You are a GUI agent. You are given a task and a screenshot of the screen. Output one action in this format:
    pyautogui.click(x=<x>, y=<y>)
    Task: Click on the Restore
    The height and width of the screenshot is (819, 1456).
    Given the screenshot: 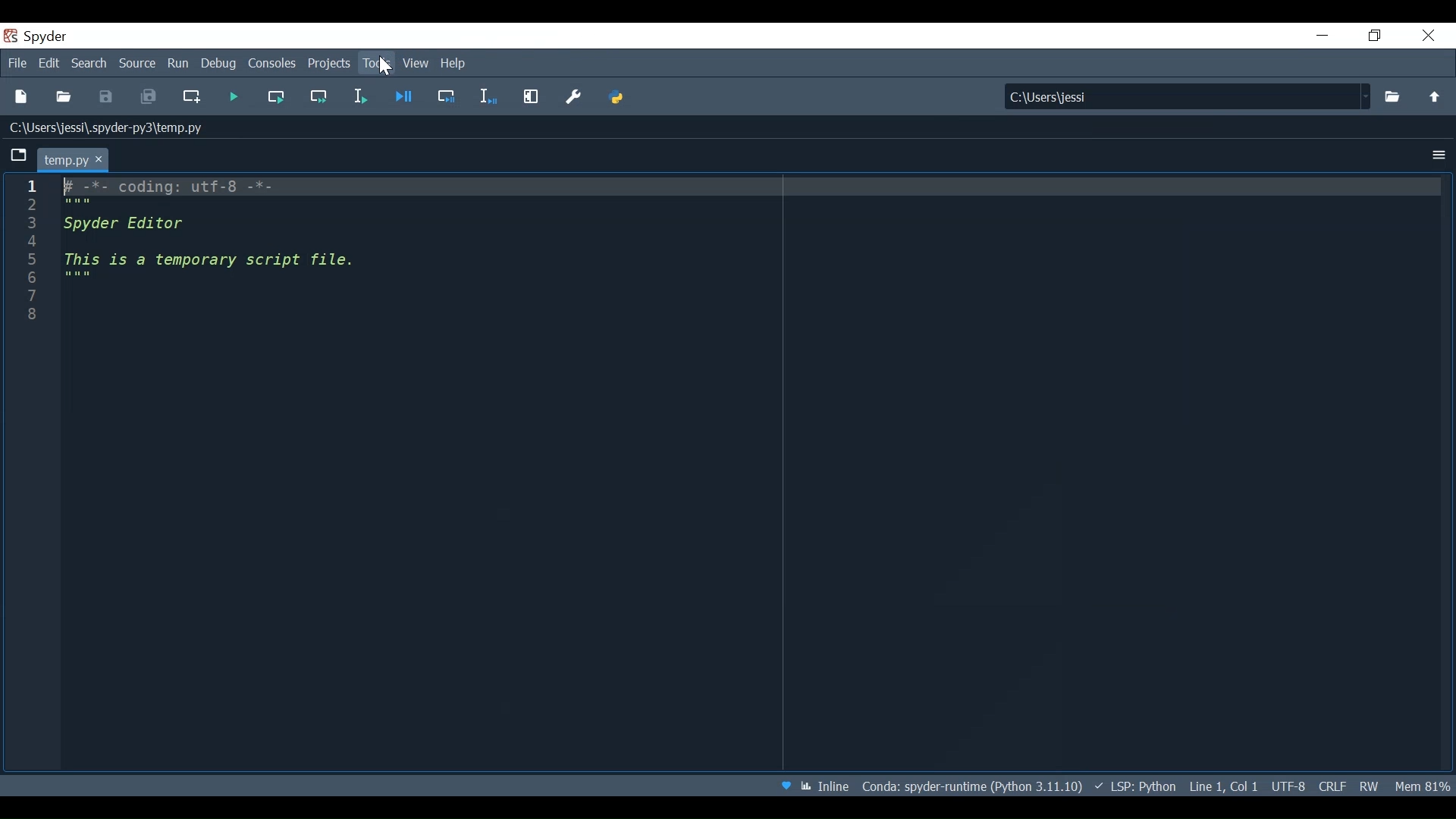 What is the action you would take?
    pyautogui.click(x=1376, y=35)
    